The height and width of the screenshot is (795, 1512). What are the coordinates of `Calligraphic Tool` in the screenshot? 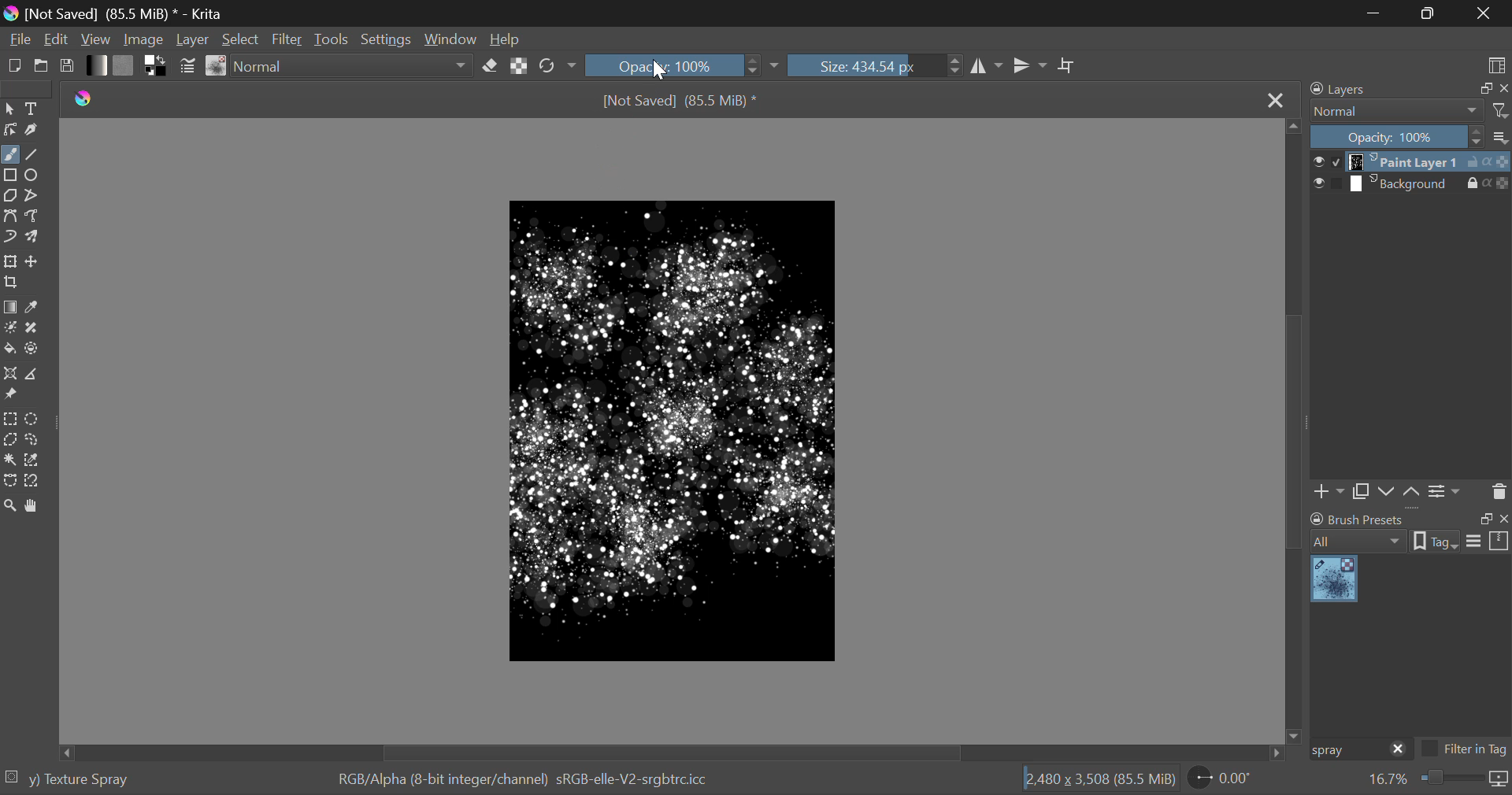 It's located at (34, 130).